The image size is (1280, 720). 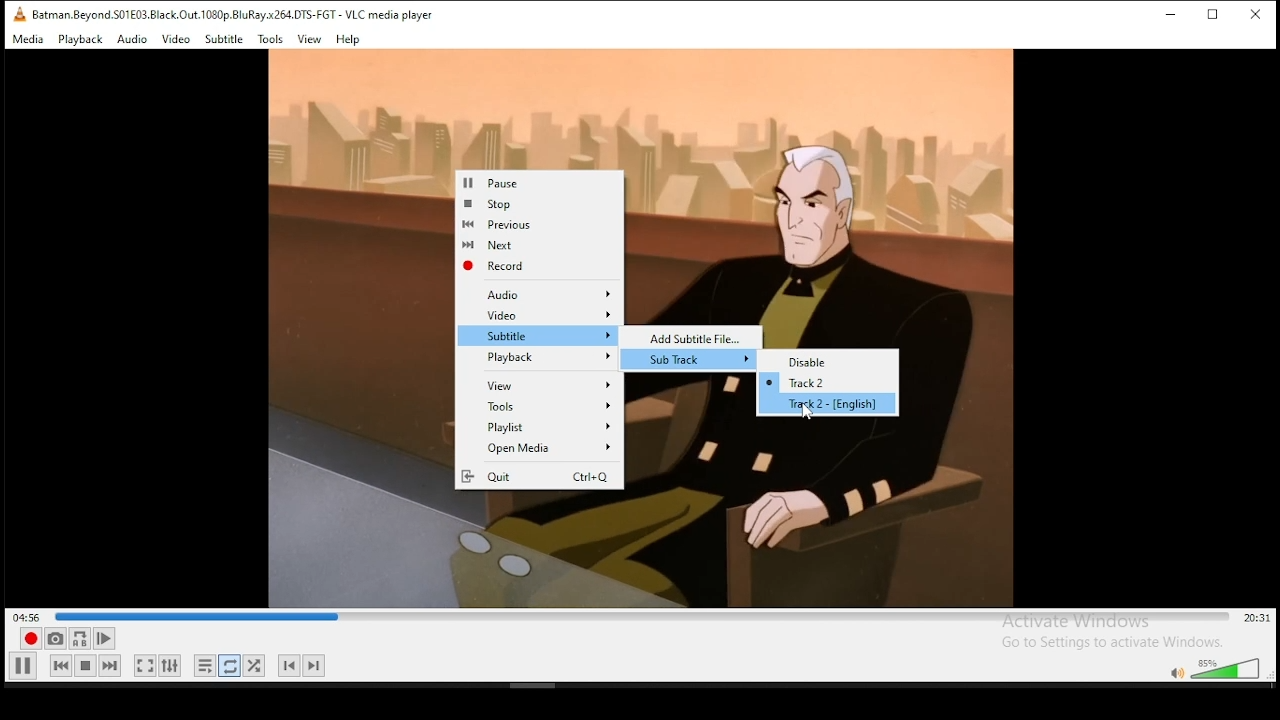 I want to click on pause, so click(x=85, y=668).